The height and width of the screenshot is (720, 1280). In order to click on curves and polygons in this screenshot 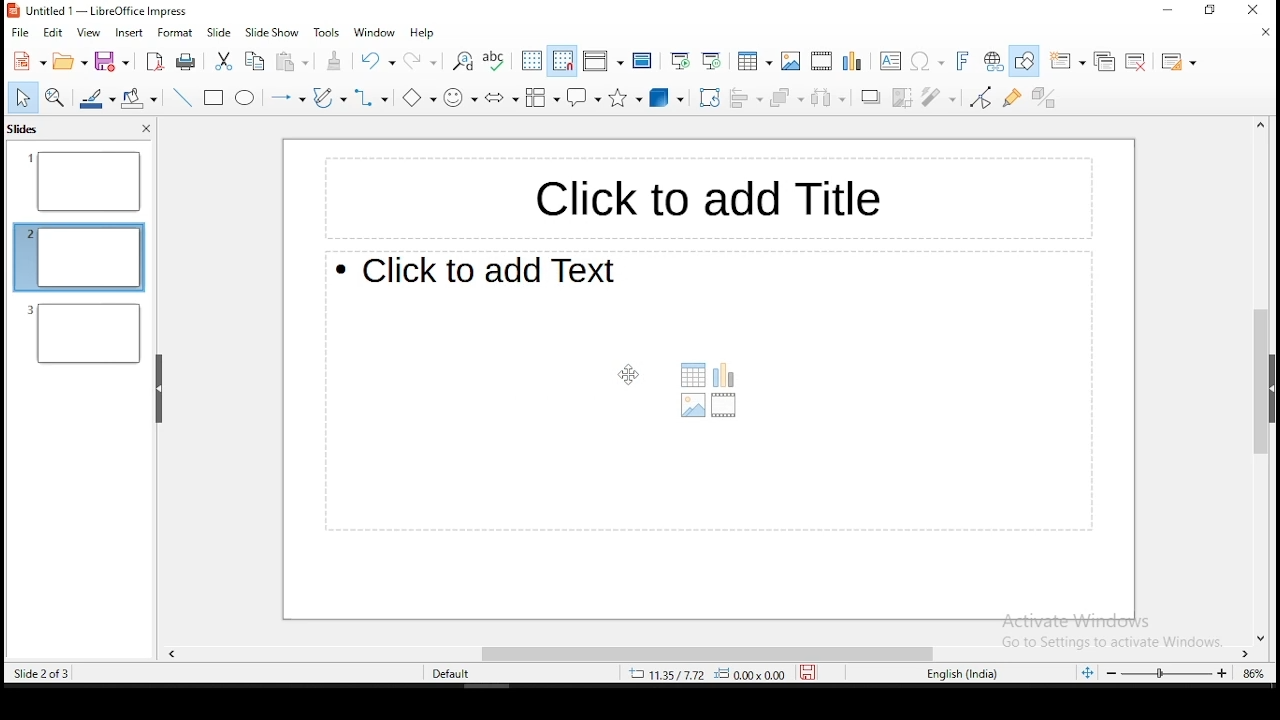, I will do `click(330, 99)`.